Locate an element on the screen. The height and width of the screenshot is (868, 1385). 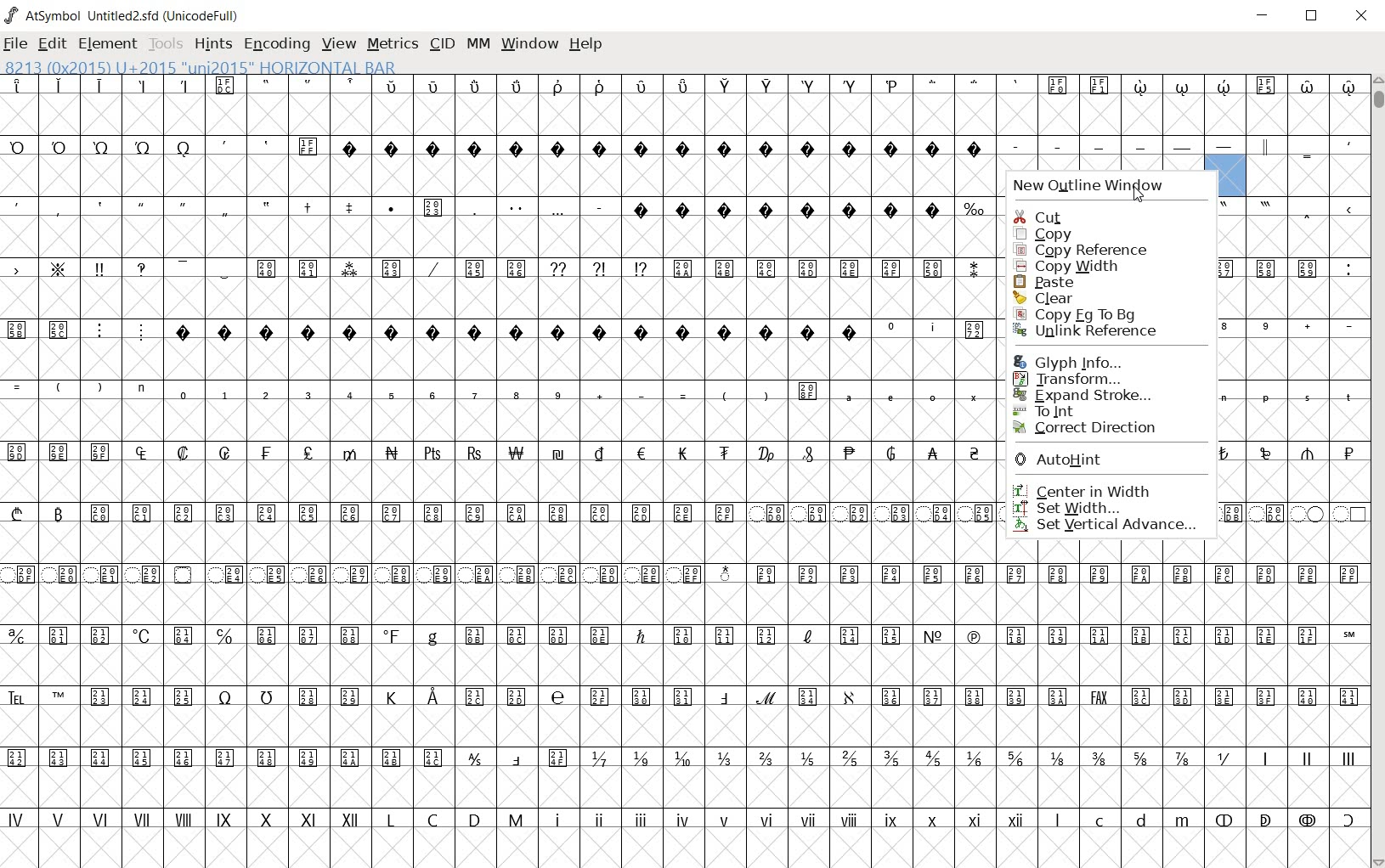
ENCODING is located at coordinates (277, 44).